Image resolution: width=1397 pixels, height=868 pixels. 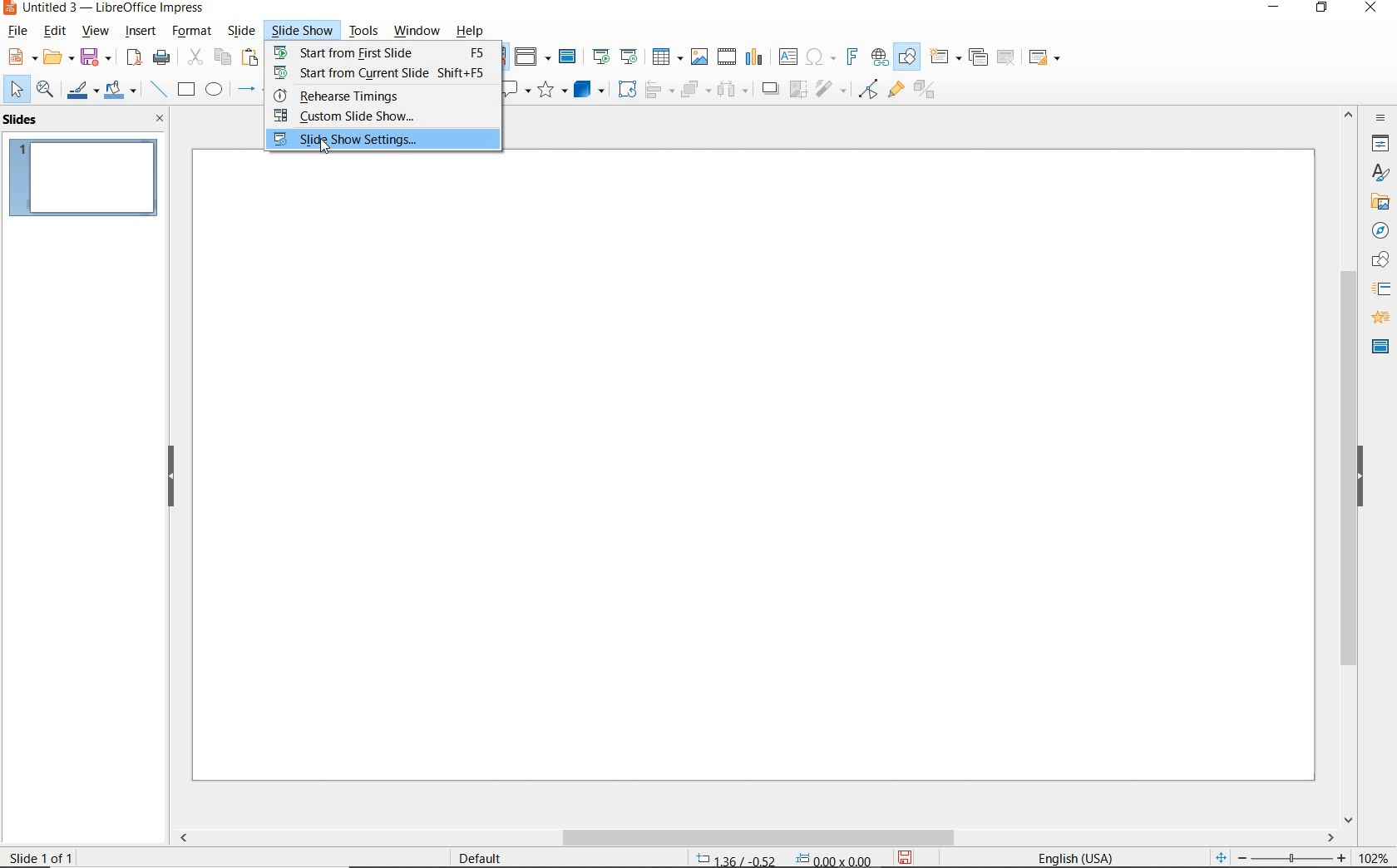 What do you see at coordinates (54, 32) in the screenshot?
I see `EDIT` at bounding box center [54, 32].